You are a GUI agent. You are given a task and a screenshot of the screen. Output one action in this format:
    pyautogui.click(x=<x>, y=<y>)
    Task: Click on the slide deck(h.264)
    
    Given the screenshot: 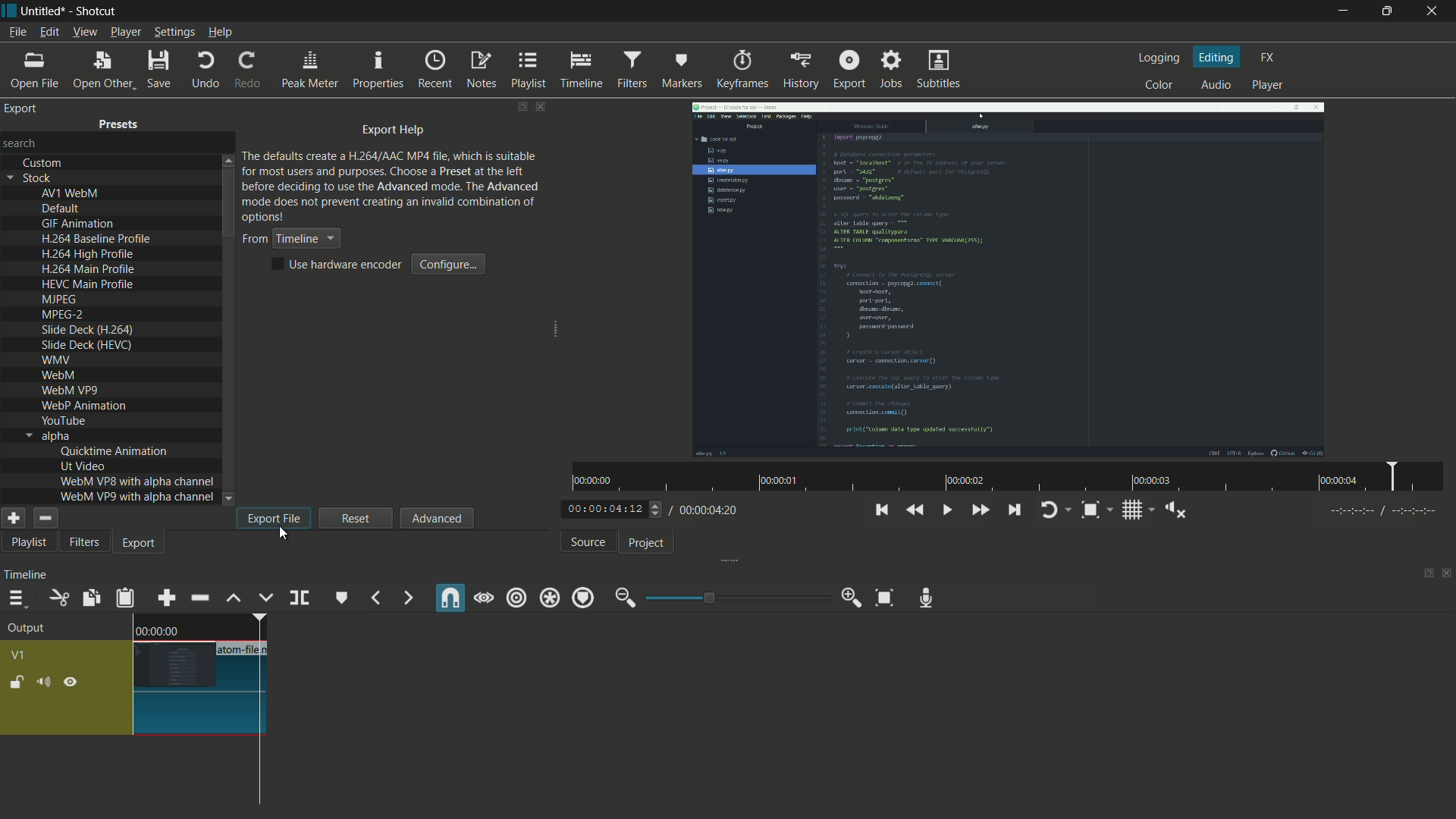 What is the action you would take?
    pyautogui.click(x=88, y=330)
    